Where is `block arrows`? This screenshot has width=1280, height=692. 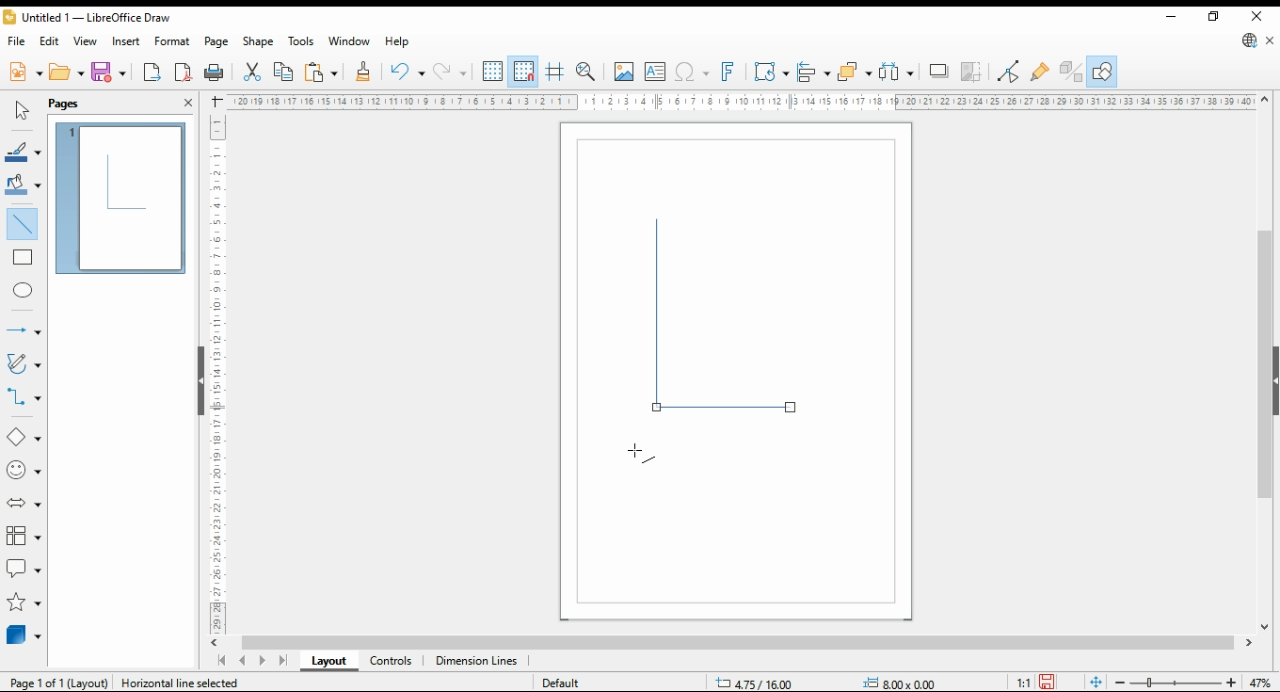 block arrows is located at coordinates (25, 504).